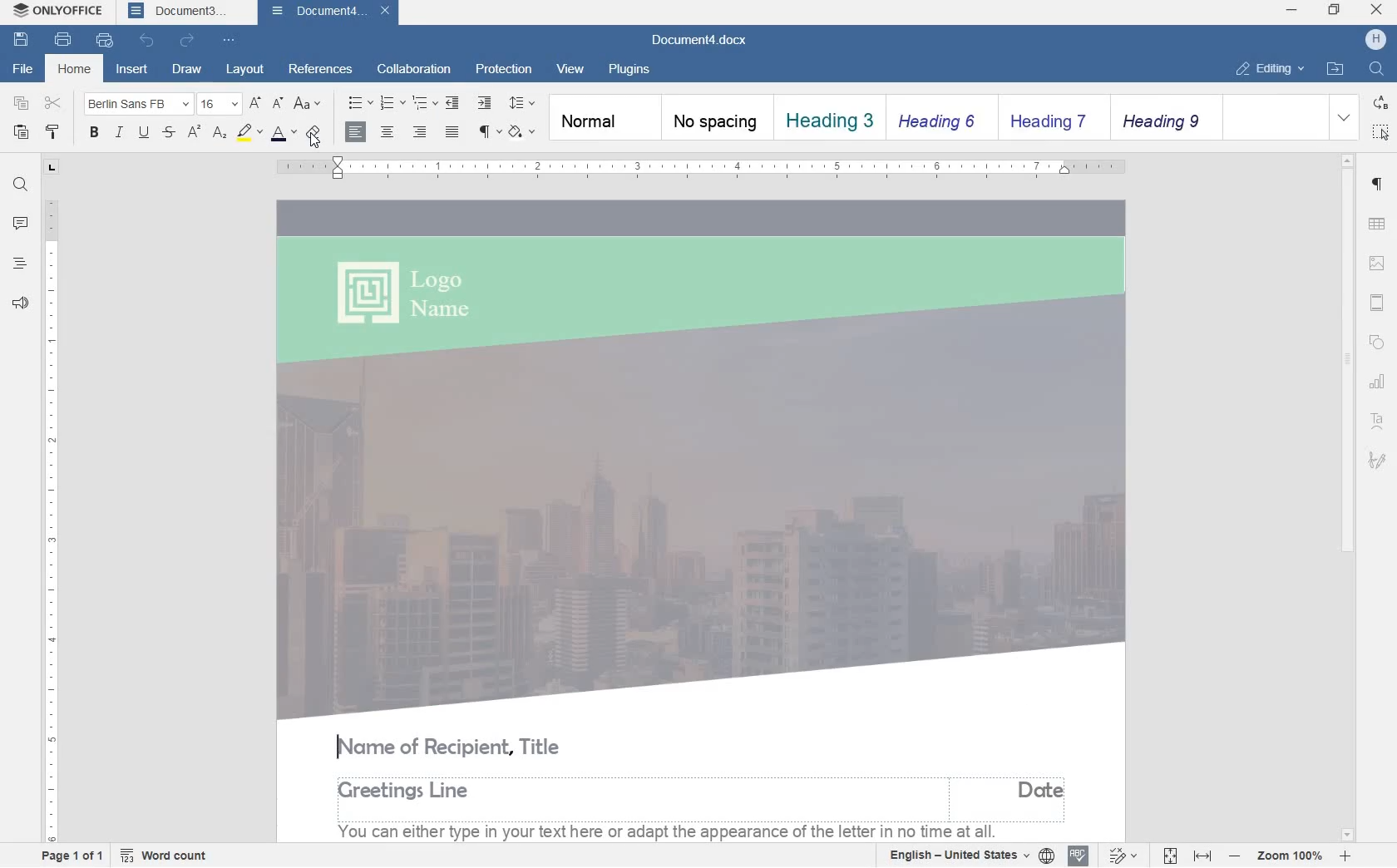 This screenshot has height=868, width=1397. What do you see at coordinates (357, 133) in the screenshot?
I see `align right` at bounding box center [357, 133].